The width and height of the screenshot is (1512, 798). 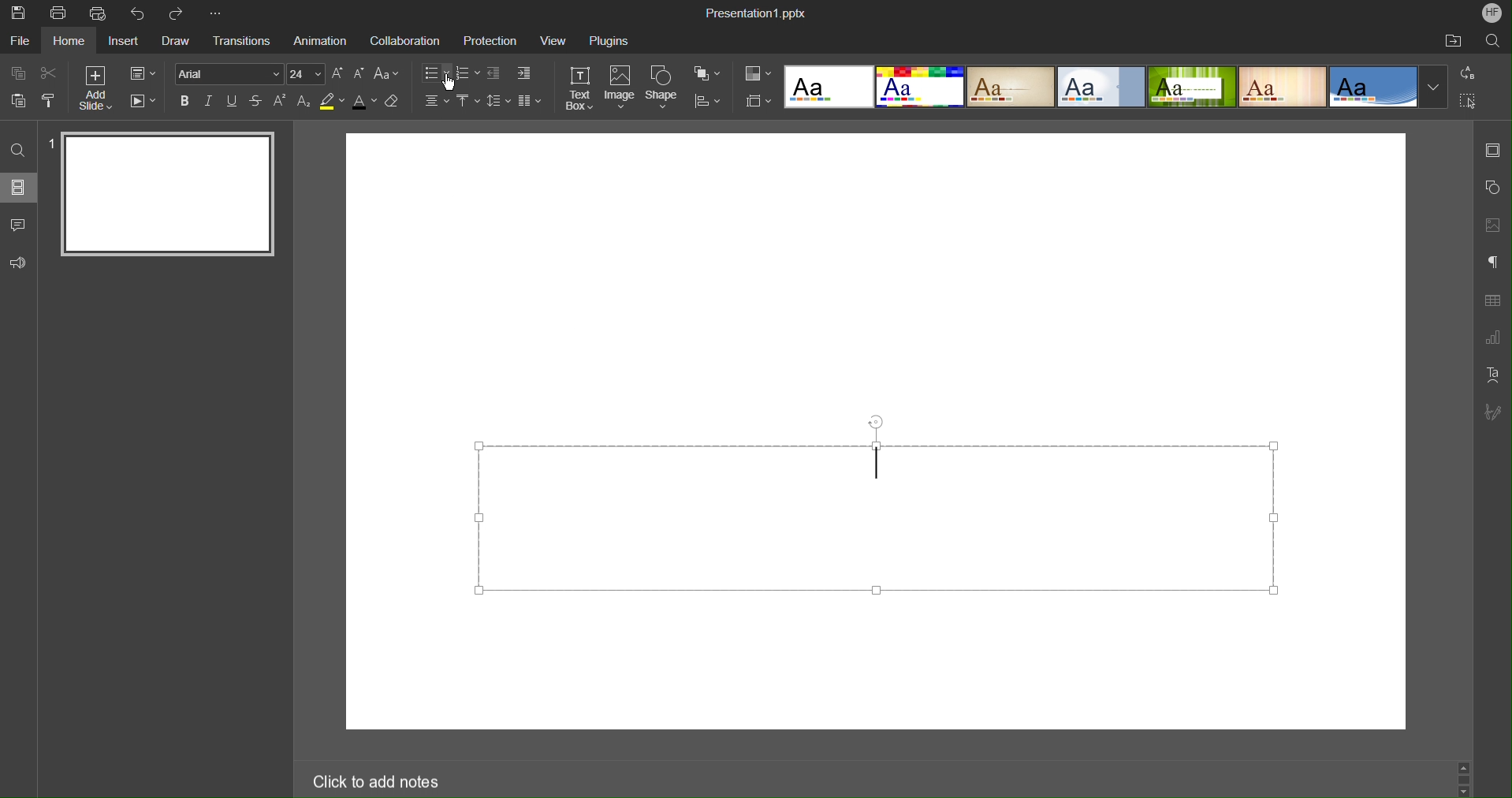 What do you see at coordinates (99, 13) in the screenshot?
I see `Quick Print` at bounding box center [99, 13].